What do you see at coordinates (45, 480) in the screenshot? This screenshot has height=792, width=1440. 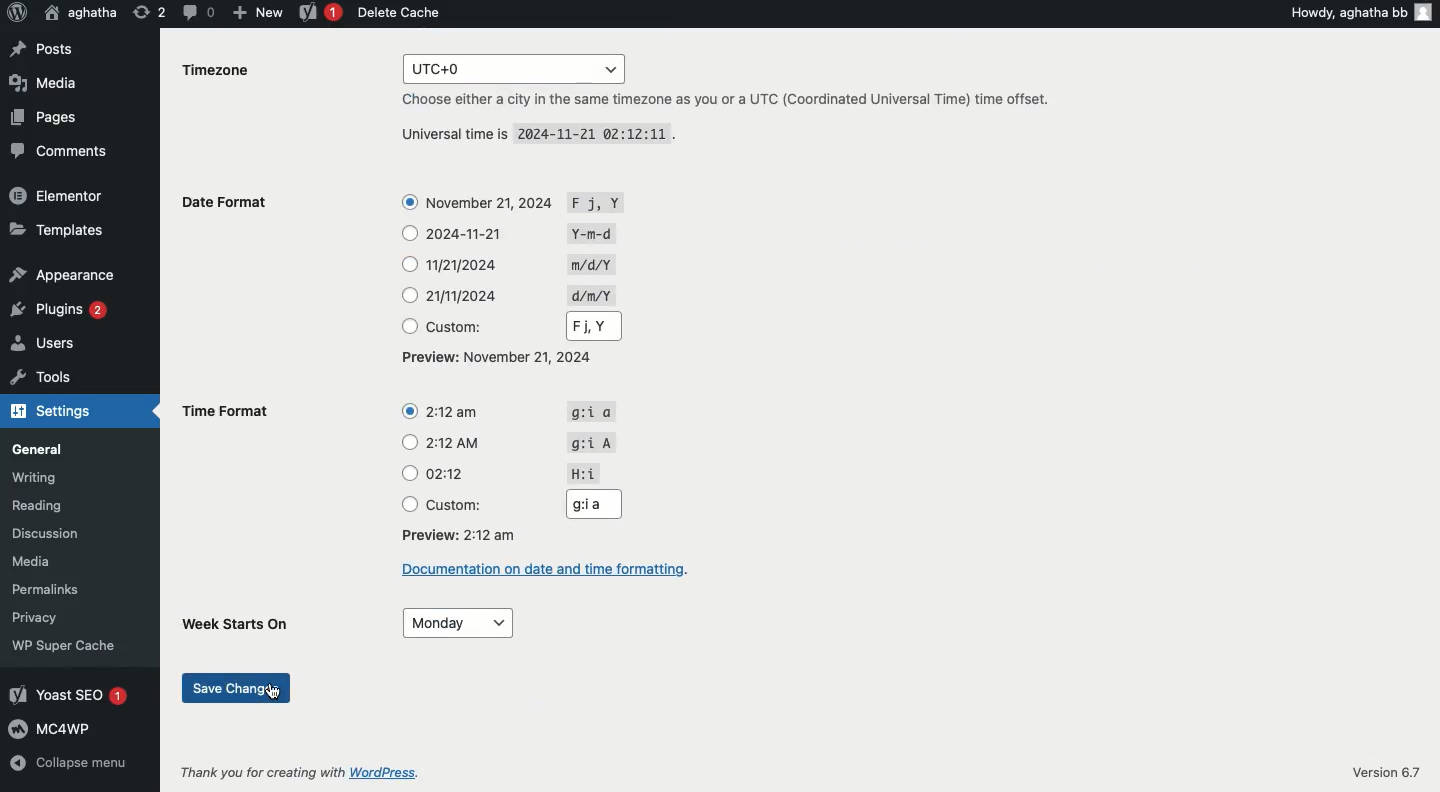 I see `Writing` at bounding box center [45, 480].